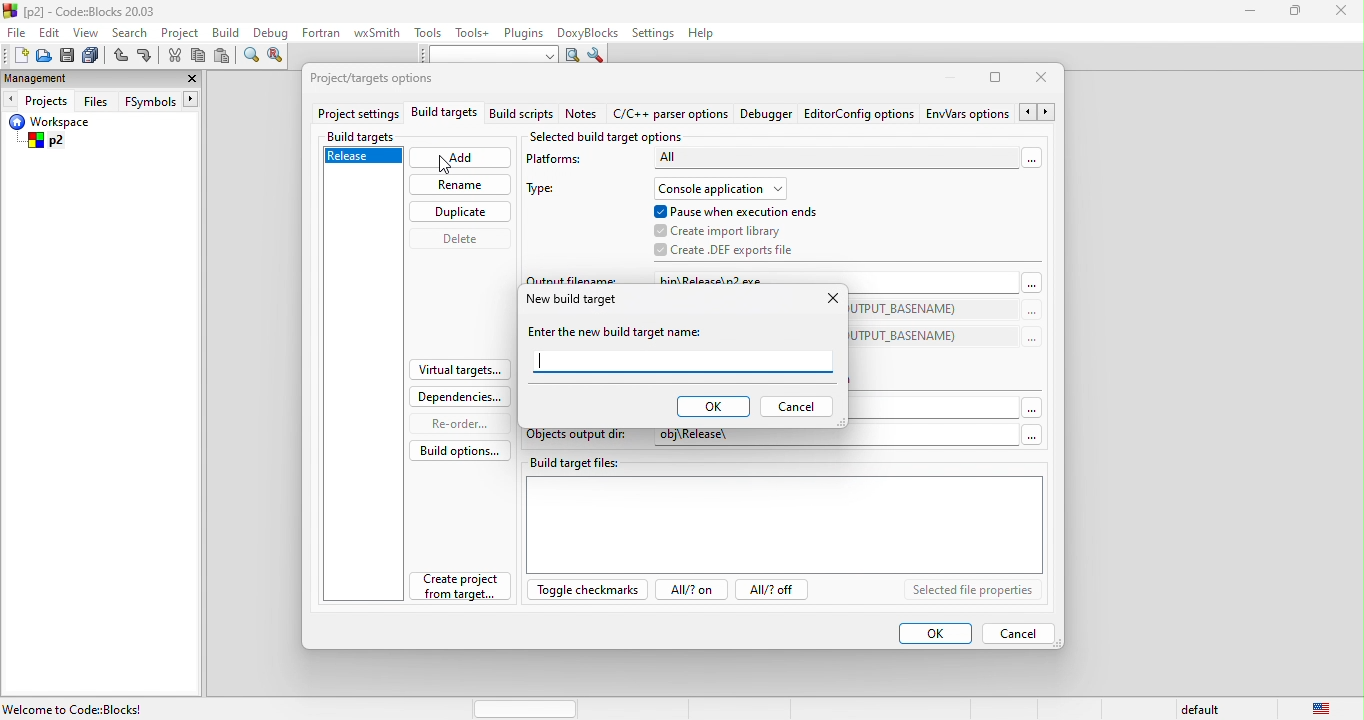 The height and width of the screenshot is (720, 1364). I want to click on fsymbols, so click(166, 100).